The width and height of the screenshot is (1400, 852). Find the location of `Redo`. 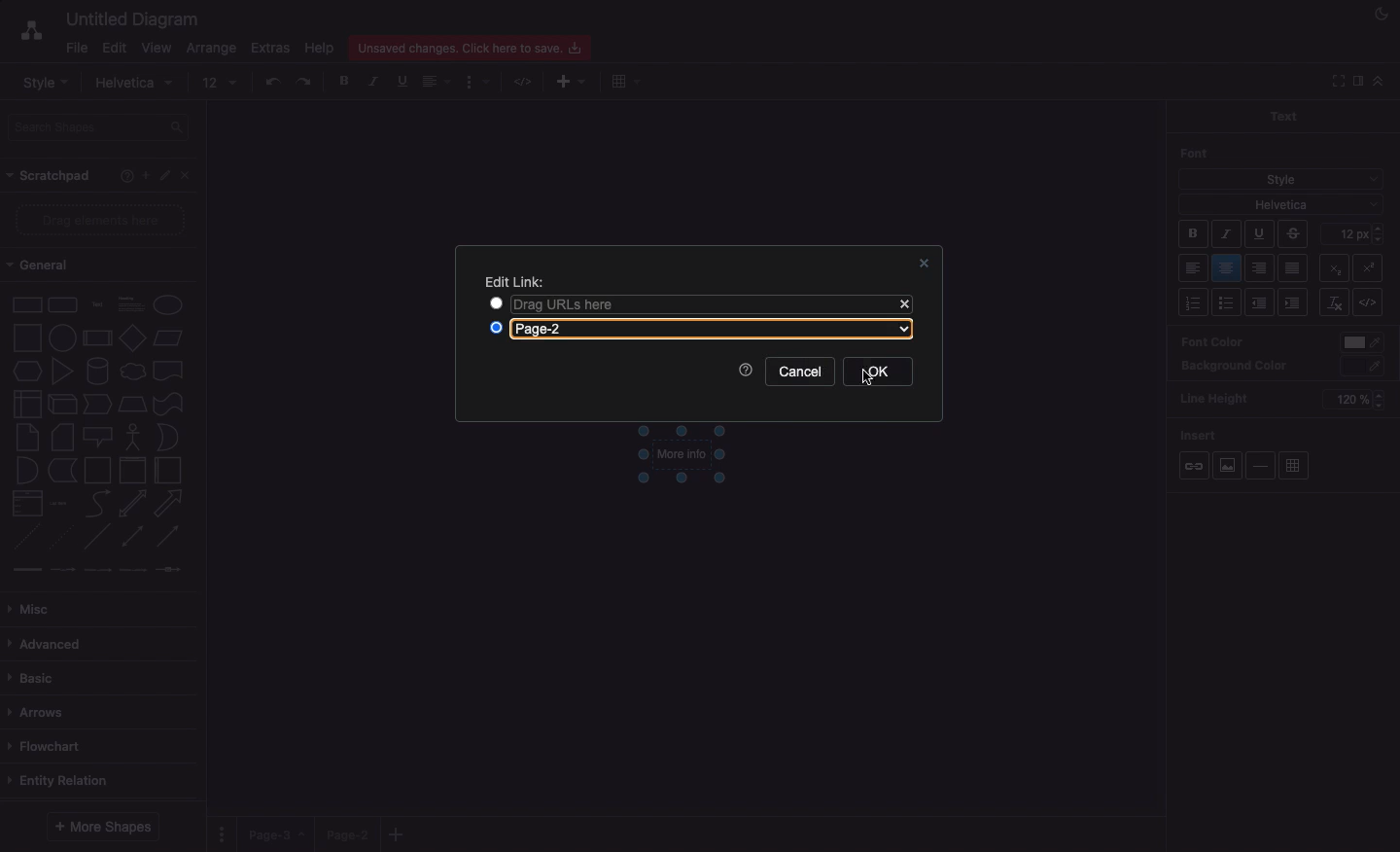

Redo is located at coordinates (305, 82).